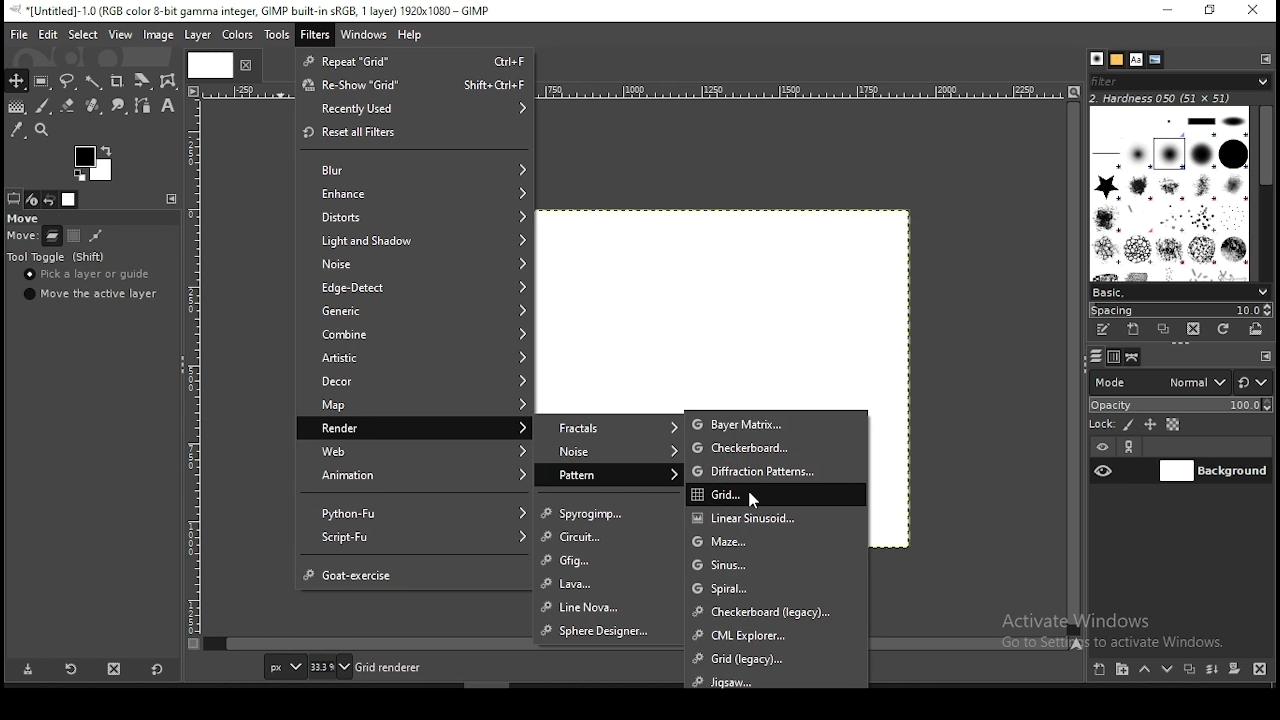  I want to click on open brush as image, so click(1257, 329).